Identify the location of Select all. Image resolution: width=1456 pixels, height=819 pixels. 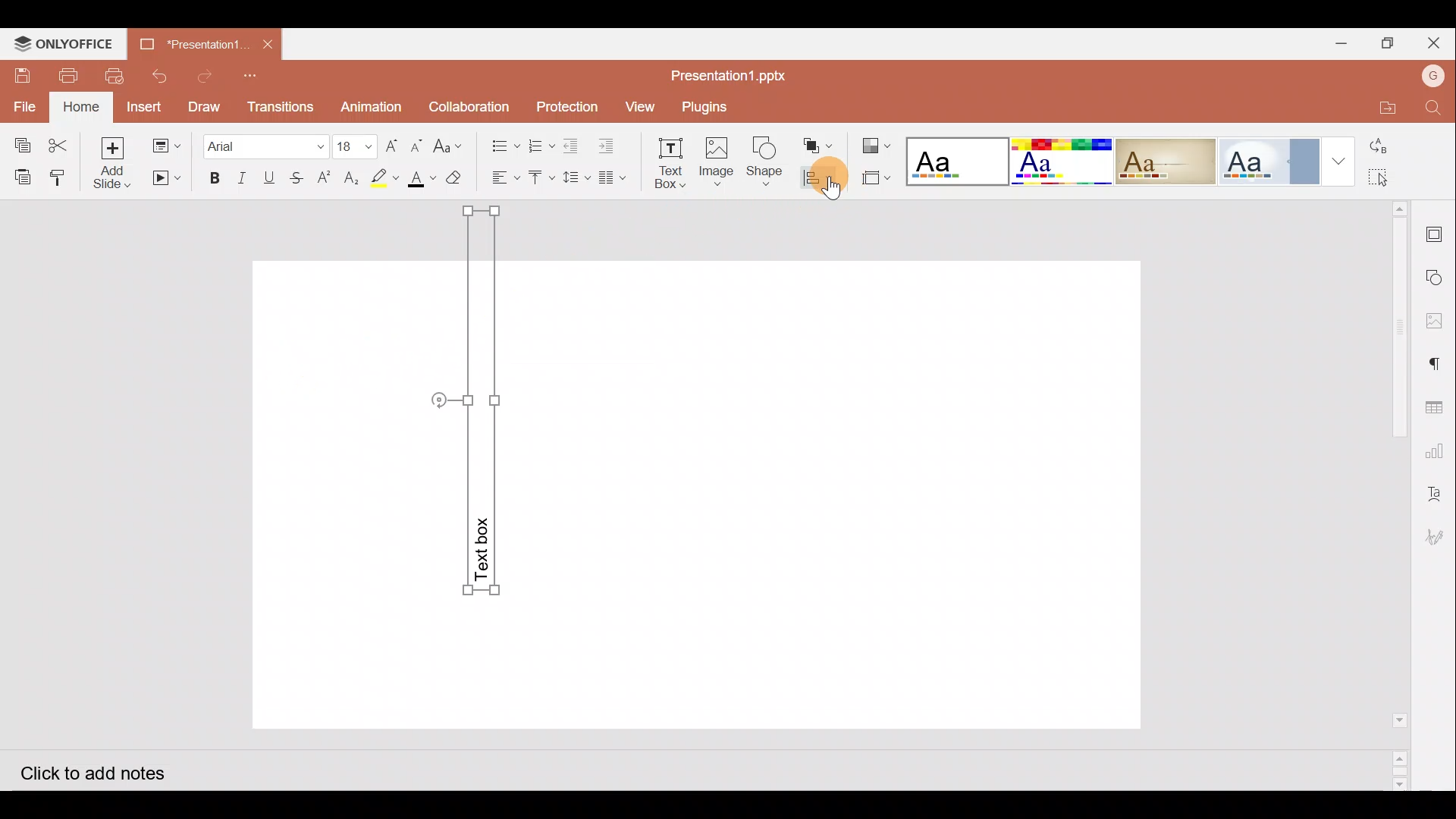
(1398, 178).